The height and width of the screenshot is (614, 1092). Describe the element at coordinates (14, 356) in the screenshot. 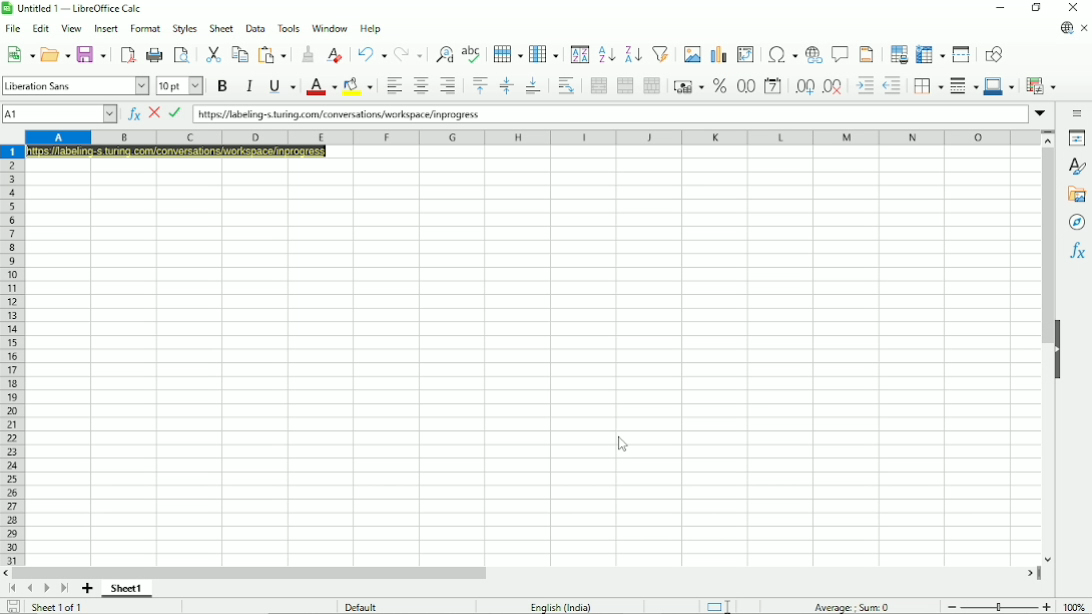

I see `Row headings` at that location.